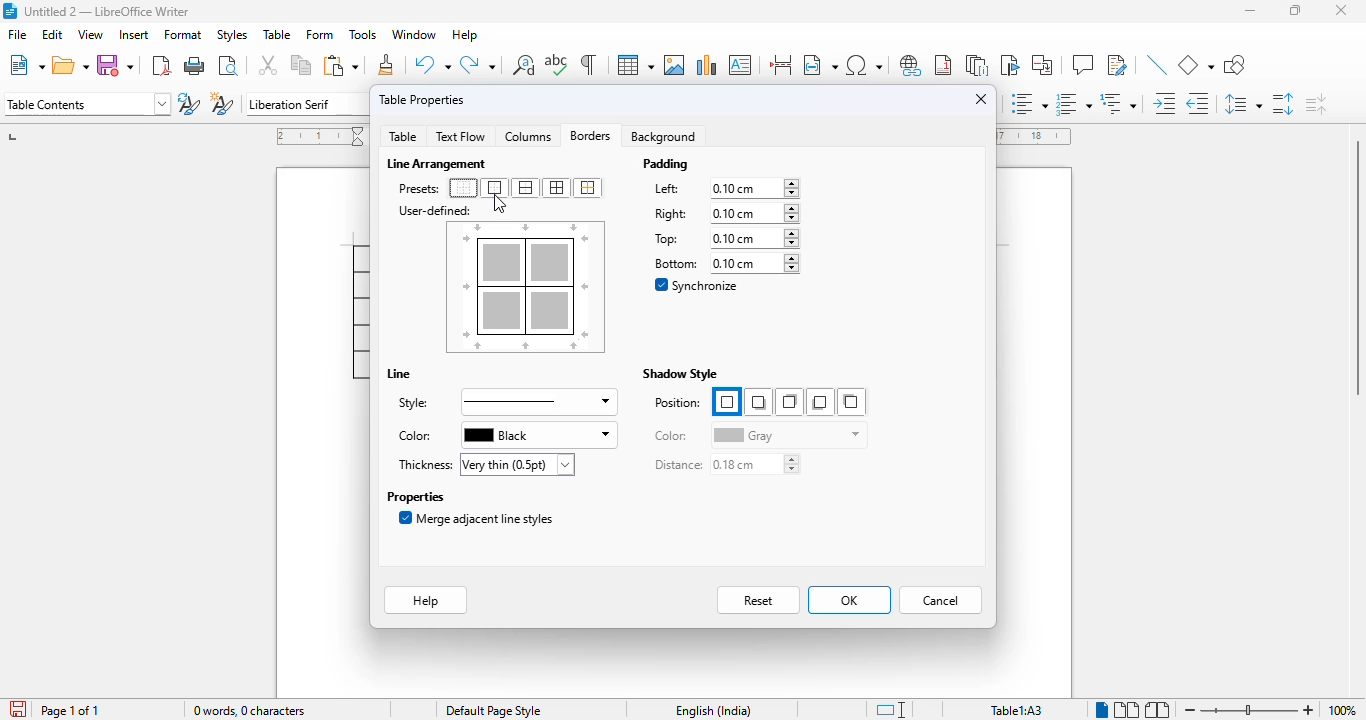 Image resolution: width=1366 pixels, height=720 pixels. Describe the element at coordinates (1342, 710) in the screenshot. I see `zoom factor` at that location.